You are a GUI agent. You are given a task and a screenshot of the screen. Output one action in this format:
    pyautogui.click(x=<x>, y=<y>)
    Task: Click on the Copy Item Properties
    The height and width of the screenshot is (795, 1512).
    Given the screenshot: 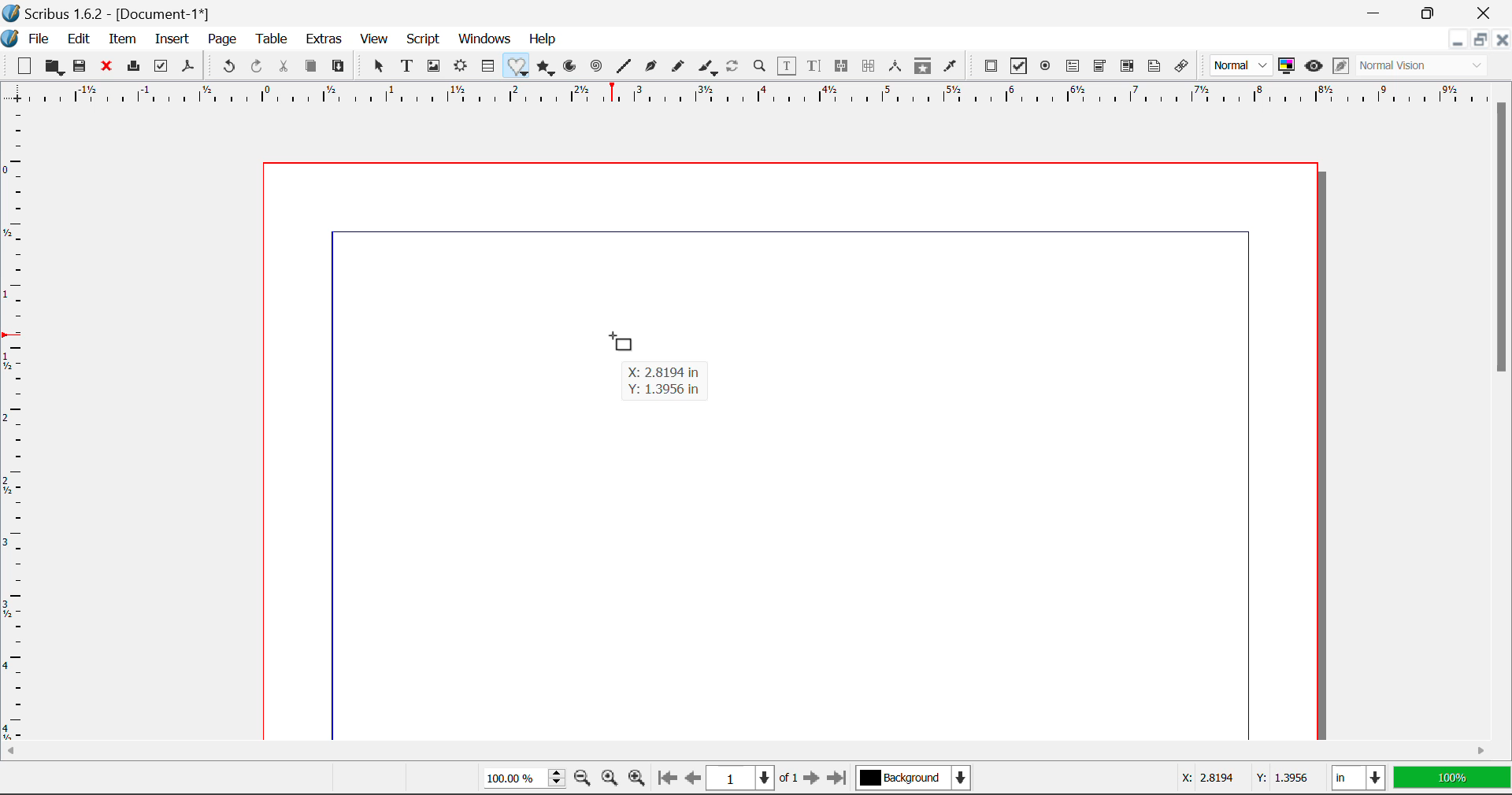 What is the action you would take?
    pyautogui.click(x=926, y=68)
    